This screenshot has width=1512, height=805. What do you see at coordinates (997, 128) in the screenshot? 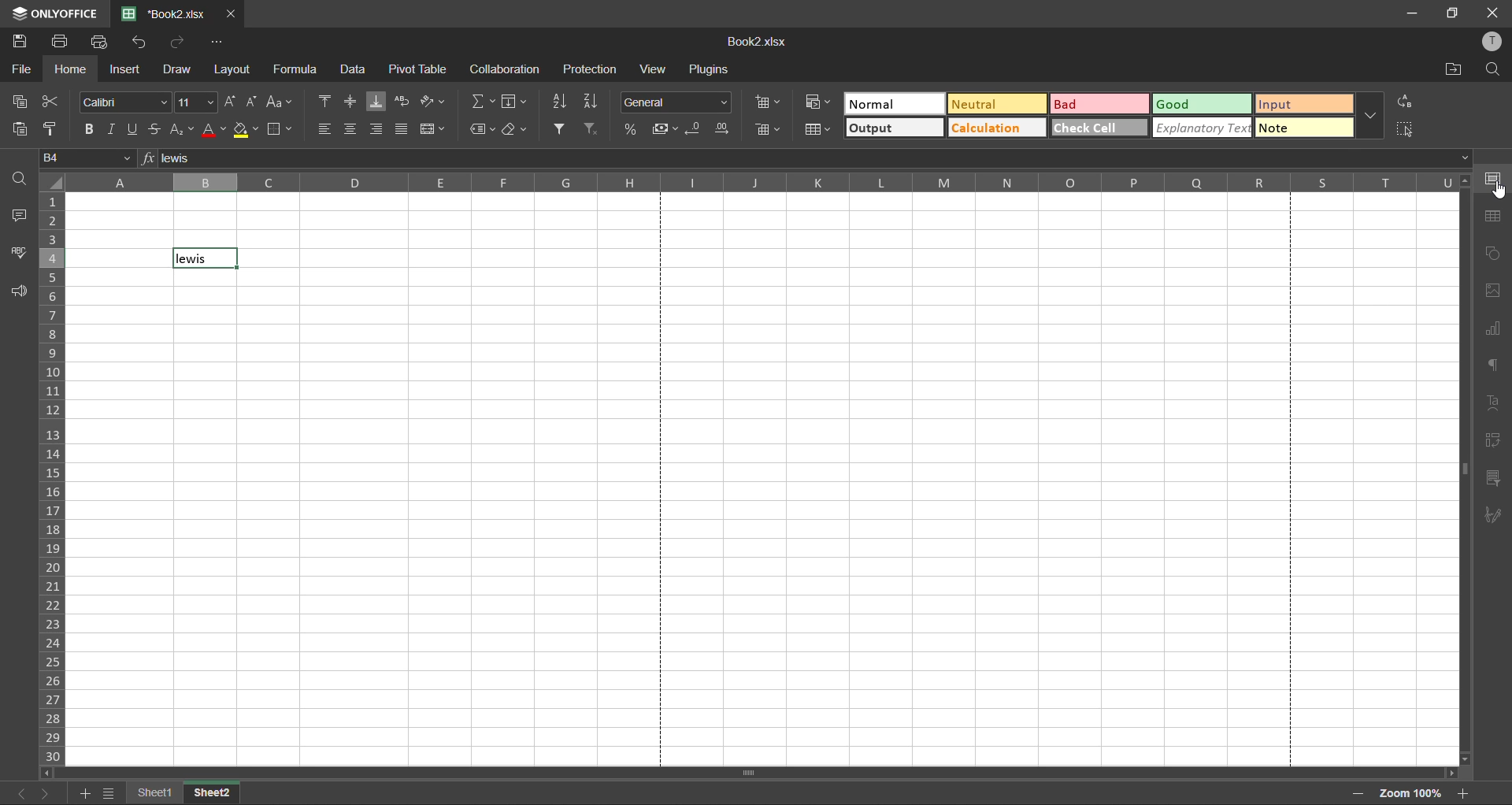
I see `calculation` at bounding box center [997, 128].